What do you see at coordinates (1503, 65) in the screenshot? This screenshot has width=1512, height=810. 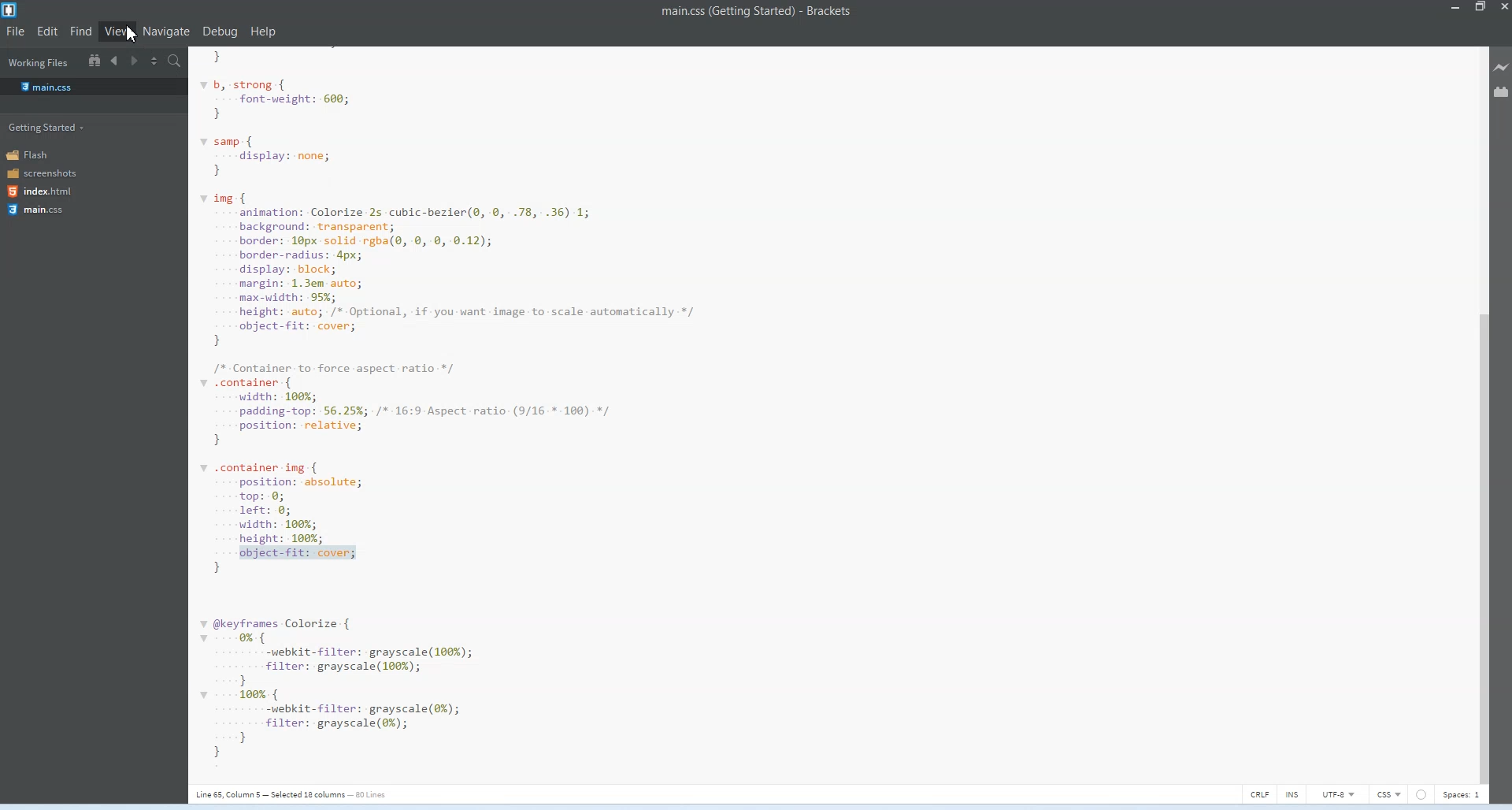 I see `Live Preview` at bounding box center [1503, 65].